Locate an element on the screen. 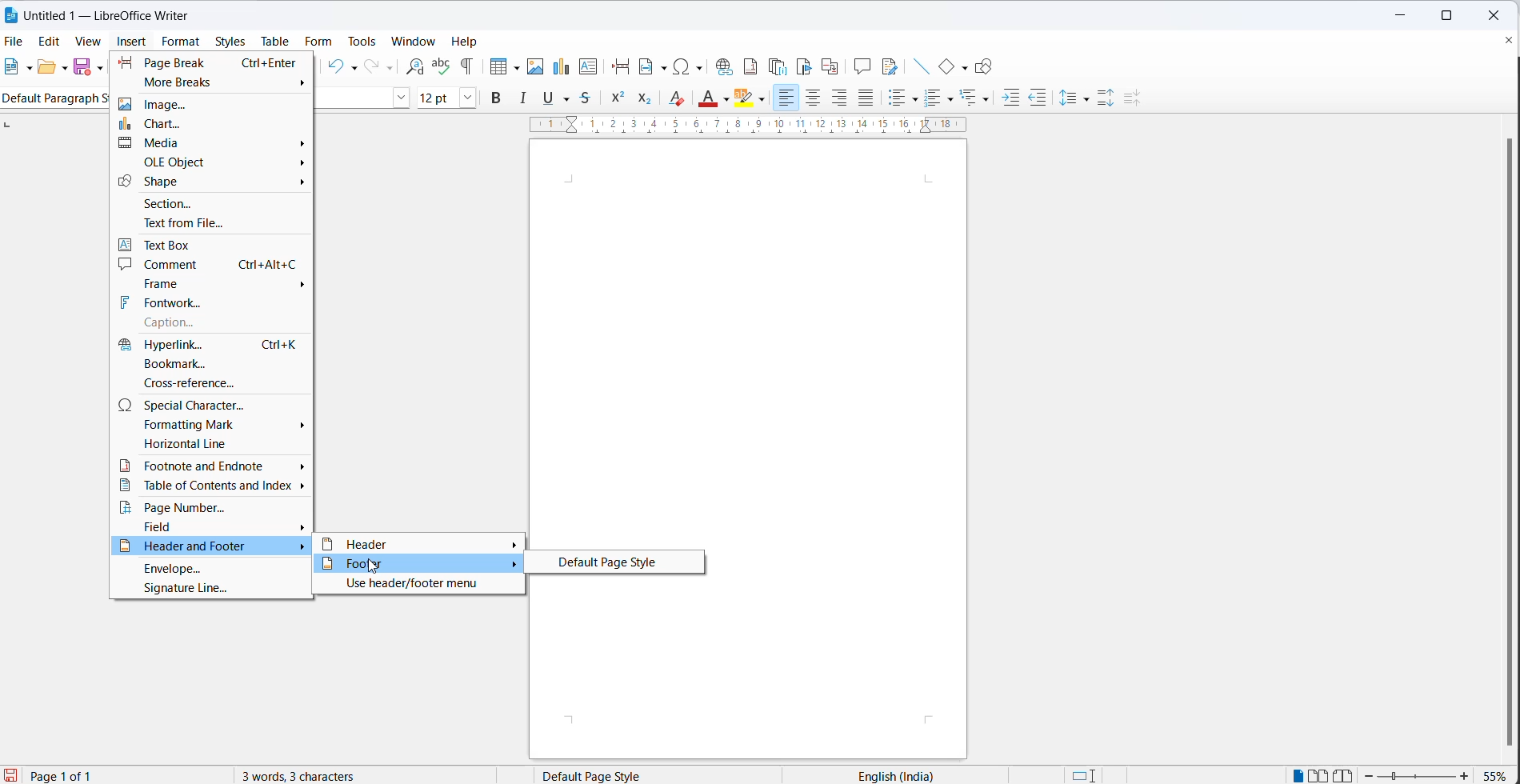 The image size is (1520, 784). text align right is located at coordinates (840, 98).